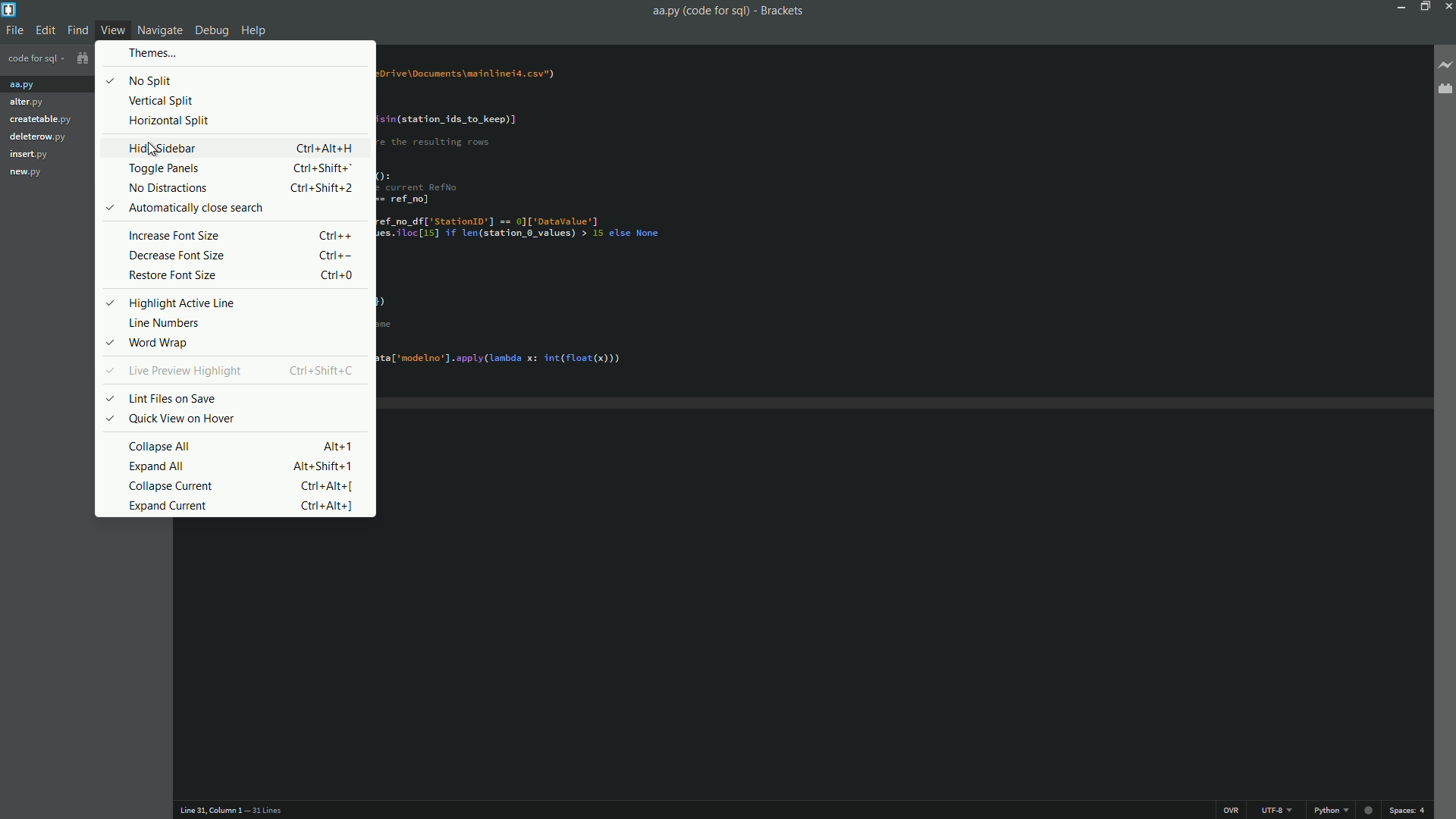 The height and width of the screenshot is (819, 1456). I want to click on keyboard shortcut, so click(334, 276).